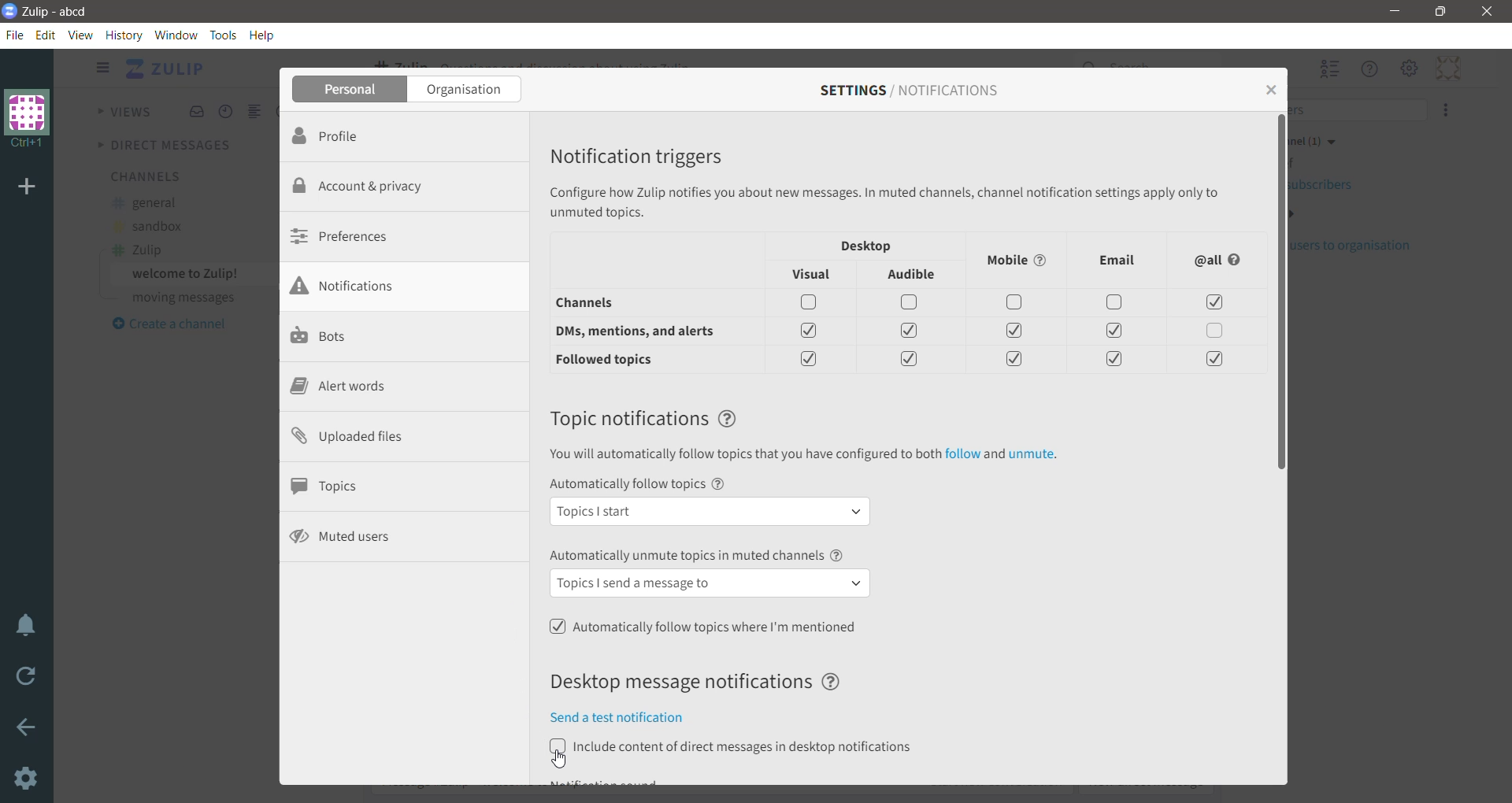  Describe the element at coordinates (813, 302) in the screenshot. I see `check box` at that location.